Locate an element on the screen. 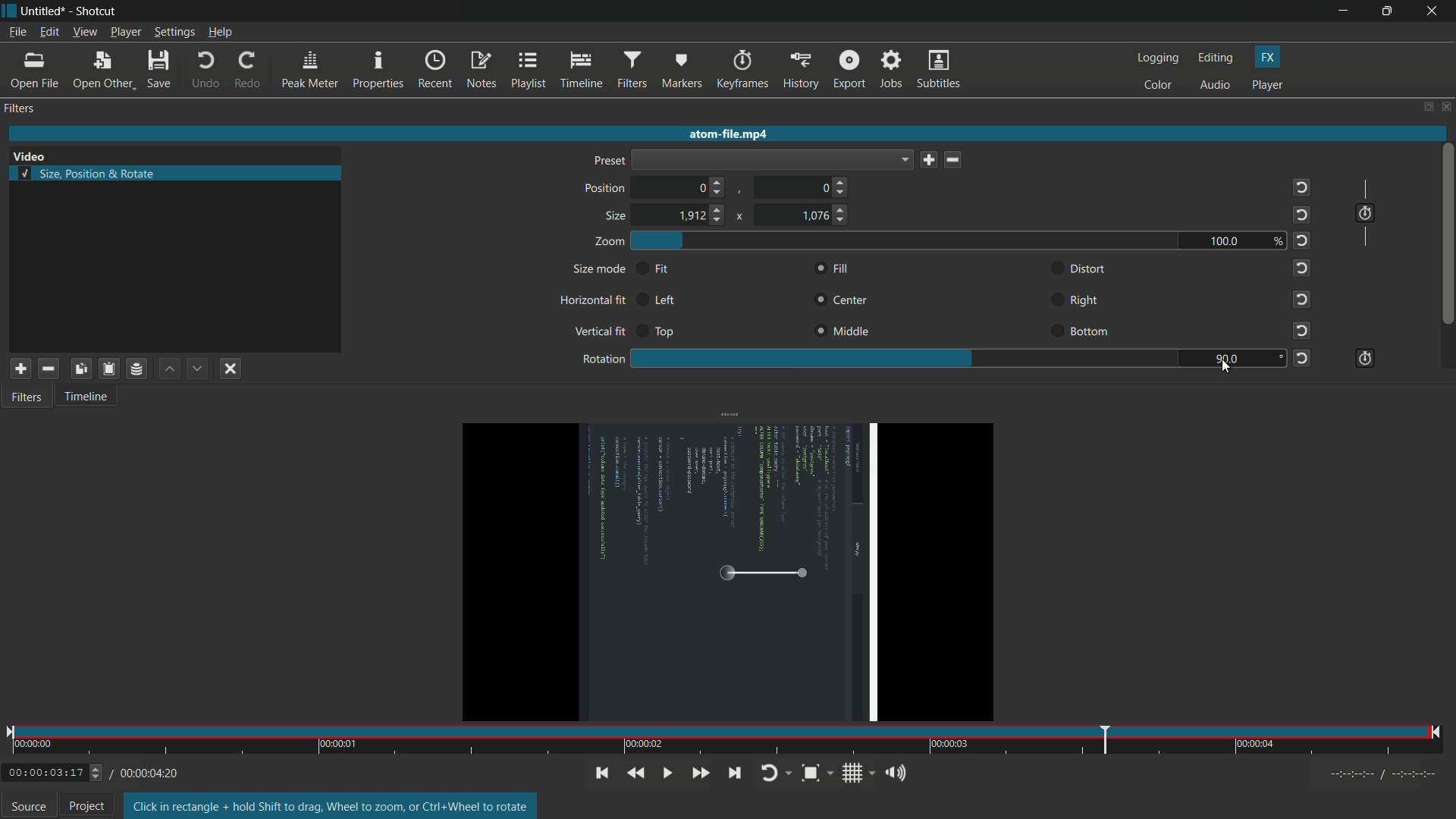  player is located at coordinates (1270, 85).